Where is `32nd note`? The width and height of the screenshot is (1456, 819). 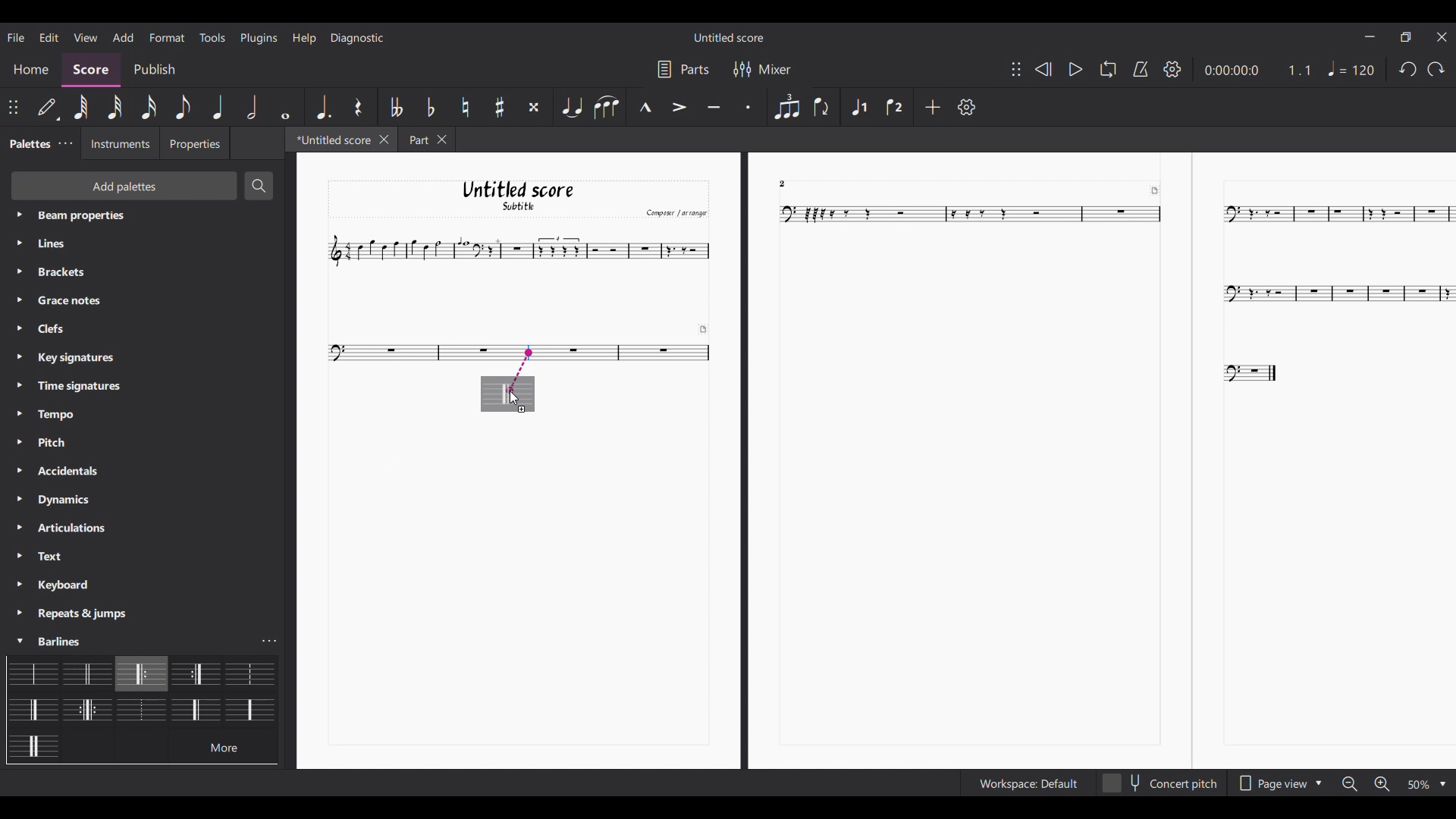 32nd note is located at coordinates (115, 107).